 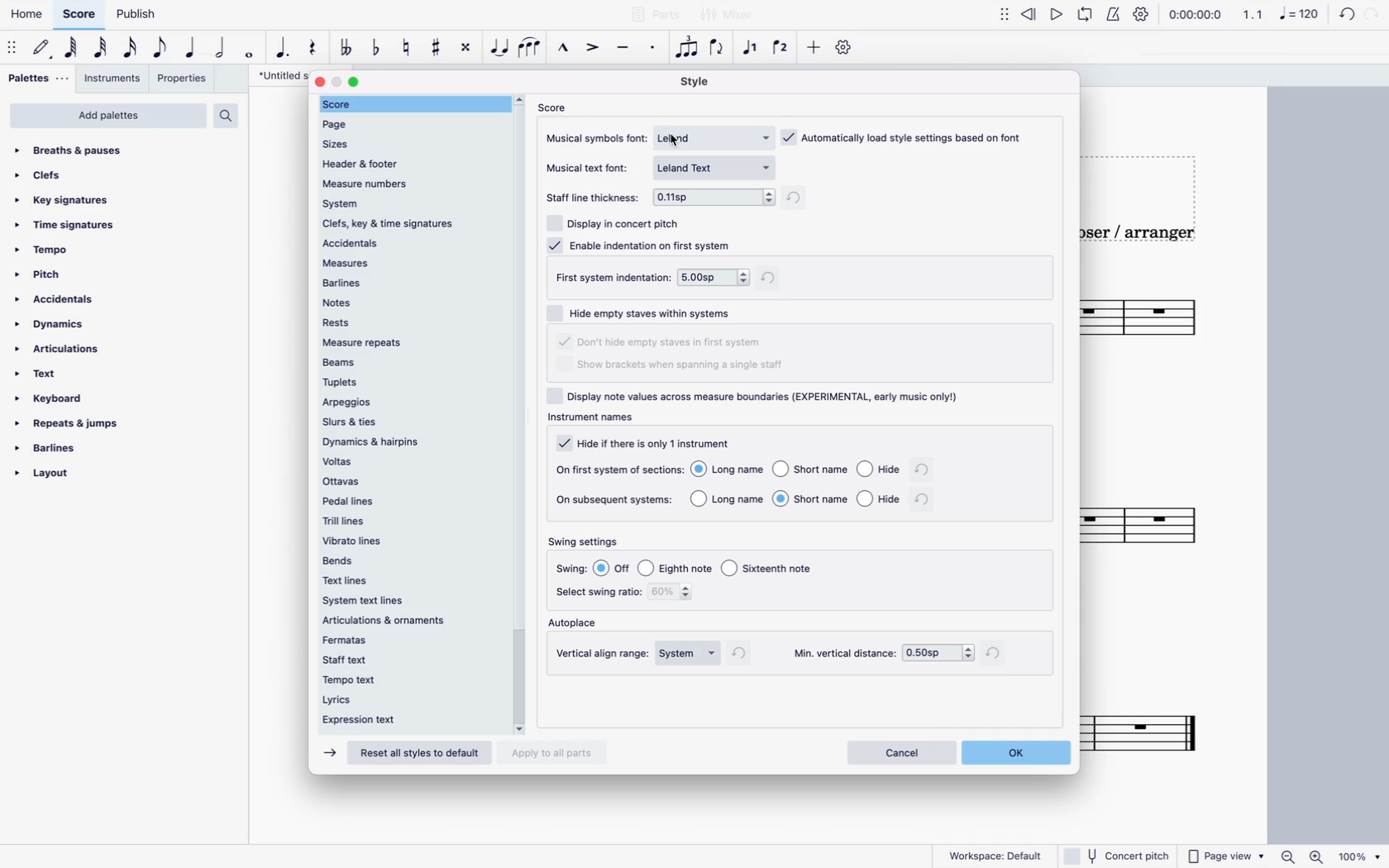 What do you see at coordinates (559, 755) in the screenshot?
I see `apply to all parts` at bounding box center [559, 755].